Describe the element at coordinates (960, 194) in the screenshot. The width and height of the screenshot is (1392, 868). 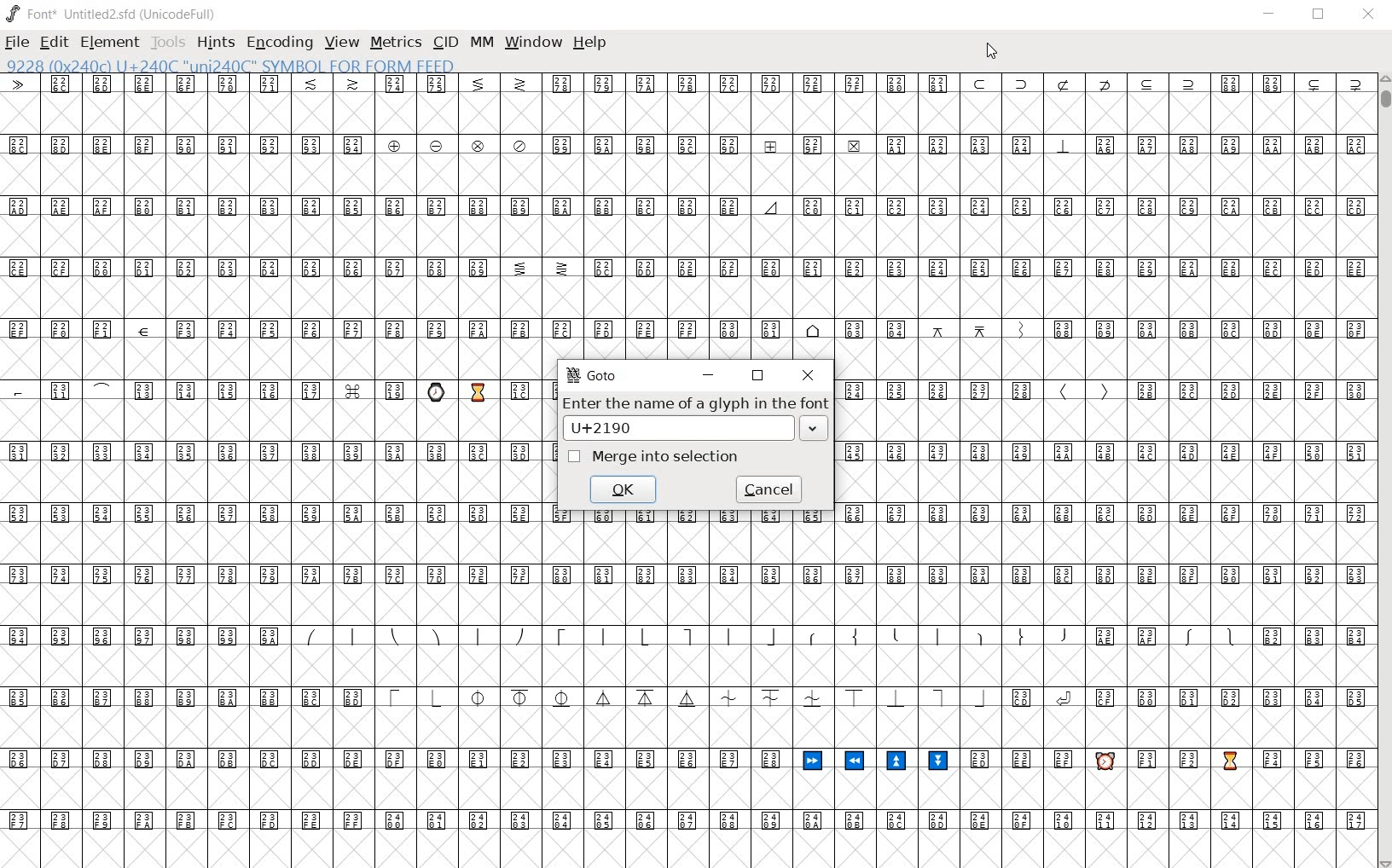
I see `glyphs characters` at that location.